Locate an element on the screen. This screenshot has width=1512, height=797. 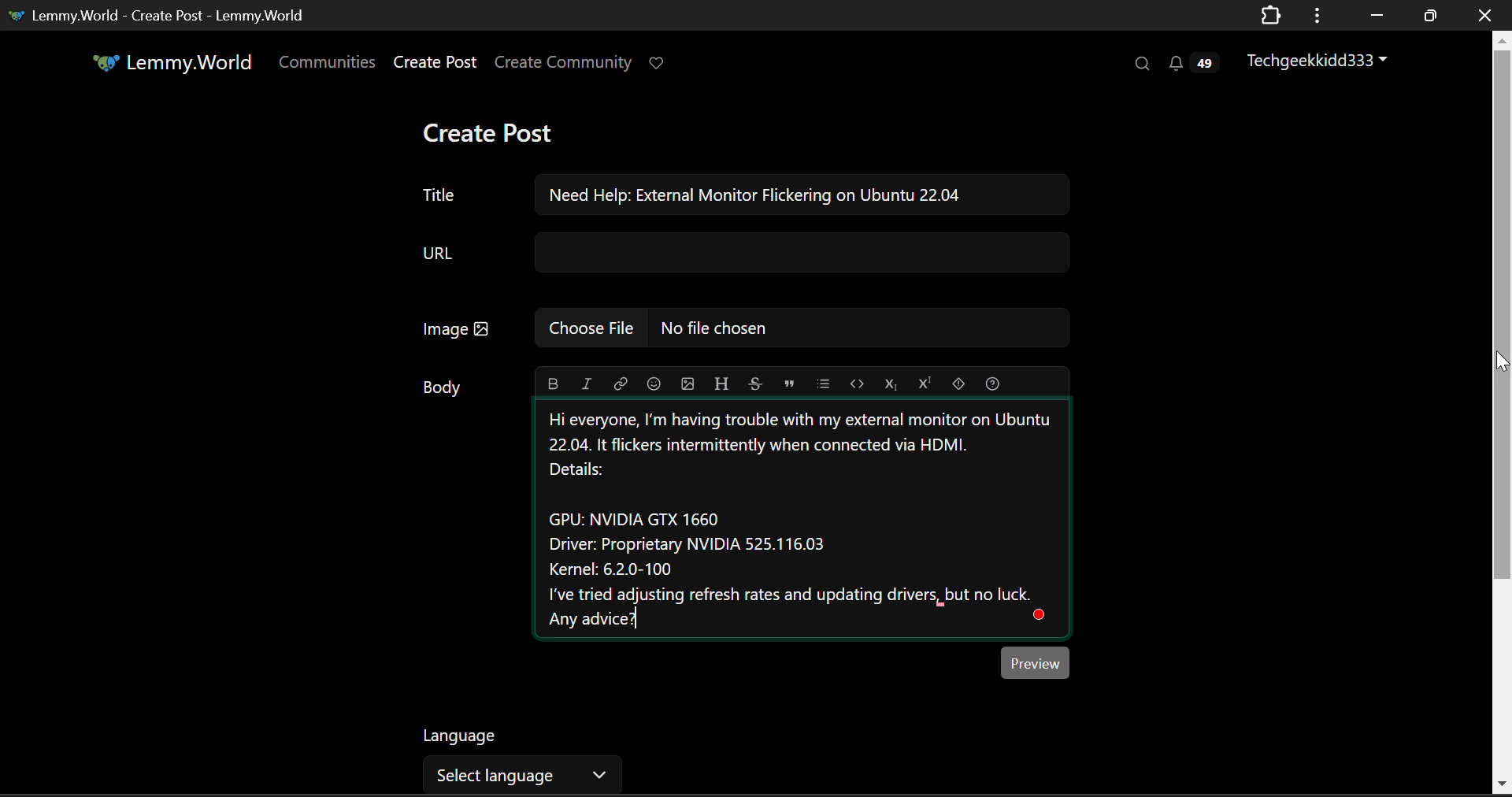
MOUSE_DOWN Cursor Position is located at coordinates (1499, 358).